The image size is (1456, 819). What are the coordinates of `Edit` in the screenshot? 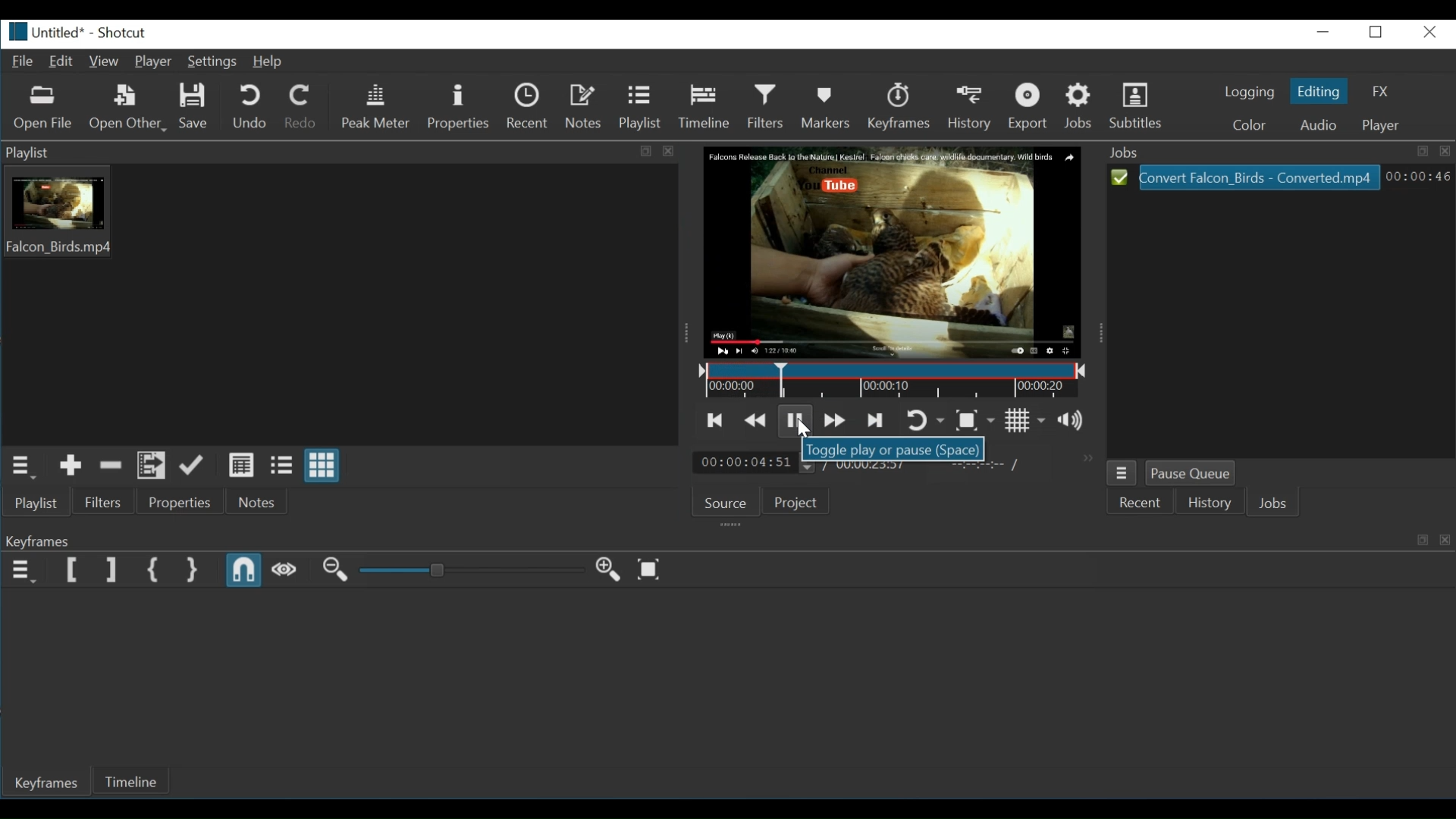 It's located at (61, 60).